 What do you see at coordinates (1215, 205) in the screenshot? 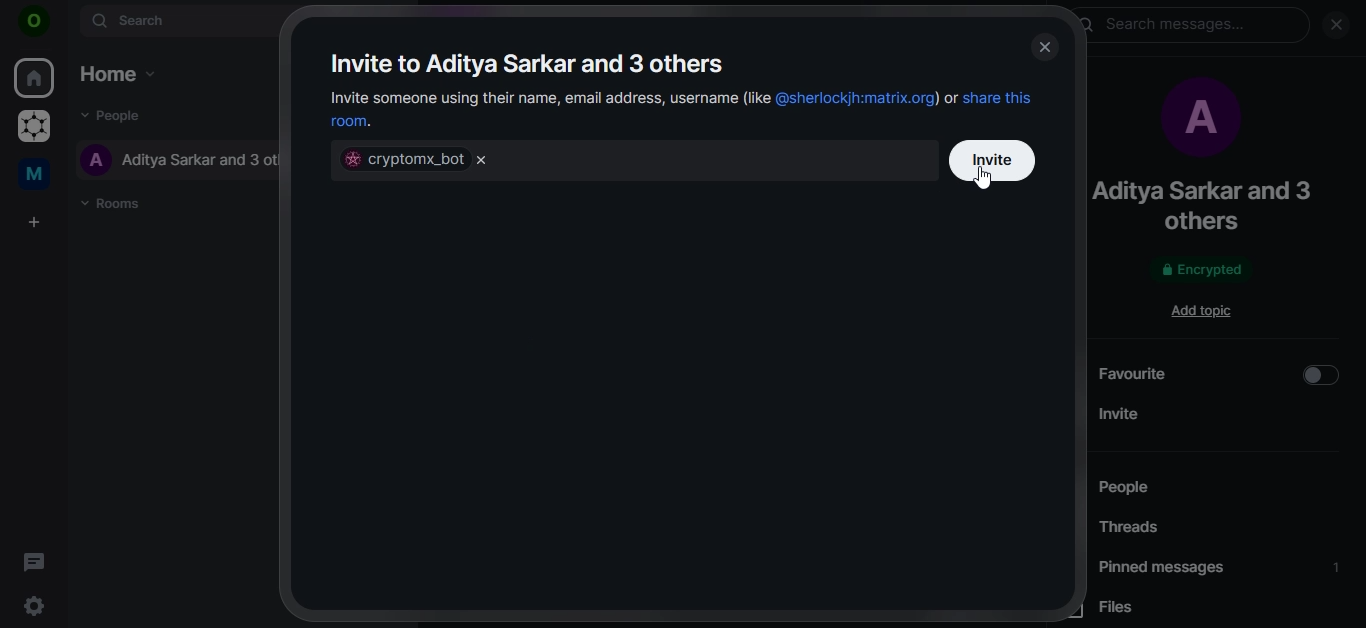
I see `aditya sarkar and 3 others` at bounding box center [1215, 205].